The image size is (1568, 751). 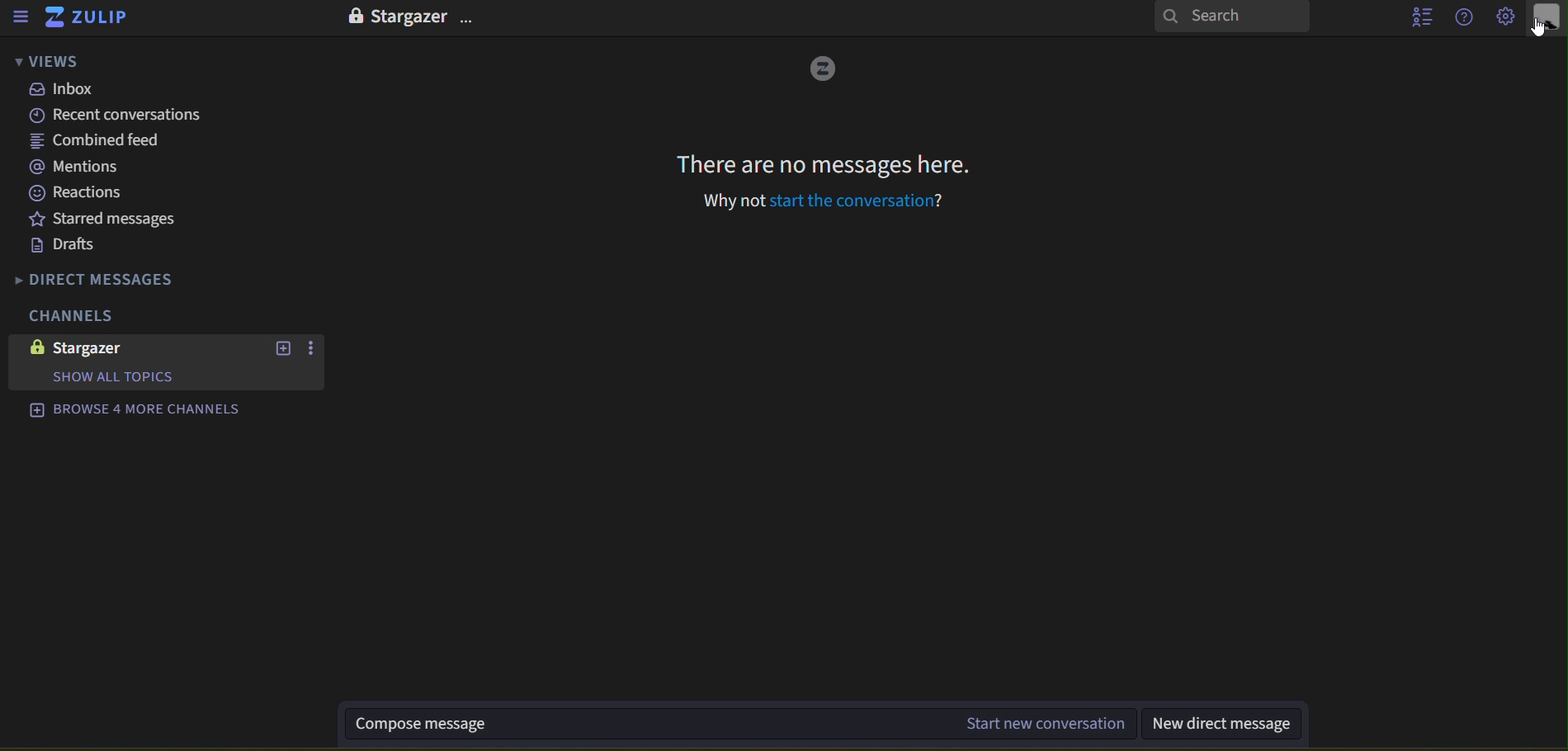 I want to click on stargazer, so click(x=86, y=347).